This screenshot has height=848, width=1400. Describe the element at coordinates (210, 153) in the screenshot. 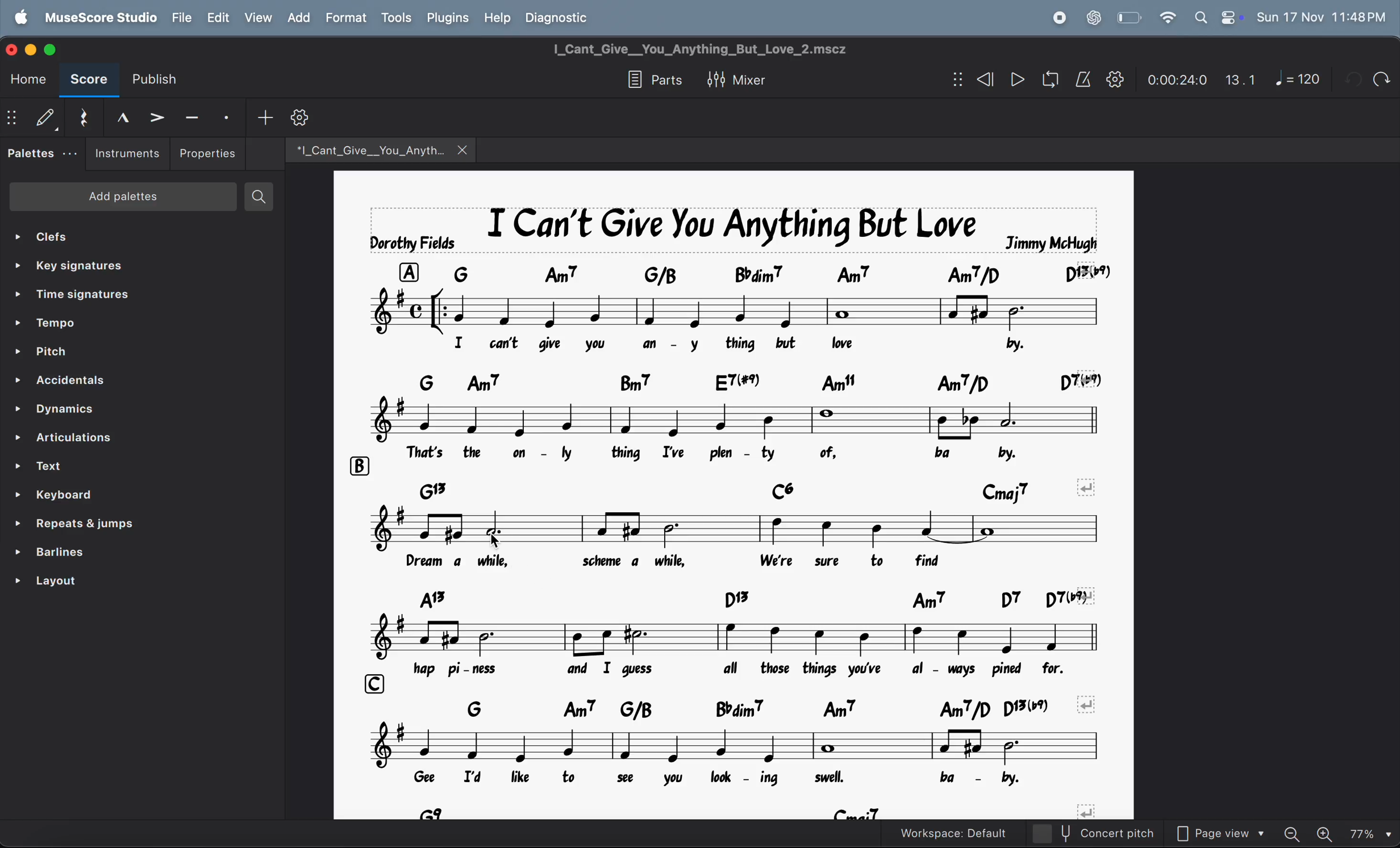

I see `properties` at that location.